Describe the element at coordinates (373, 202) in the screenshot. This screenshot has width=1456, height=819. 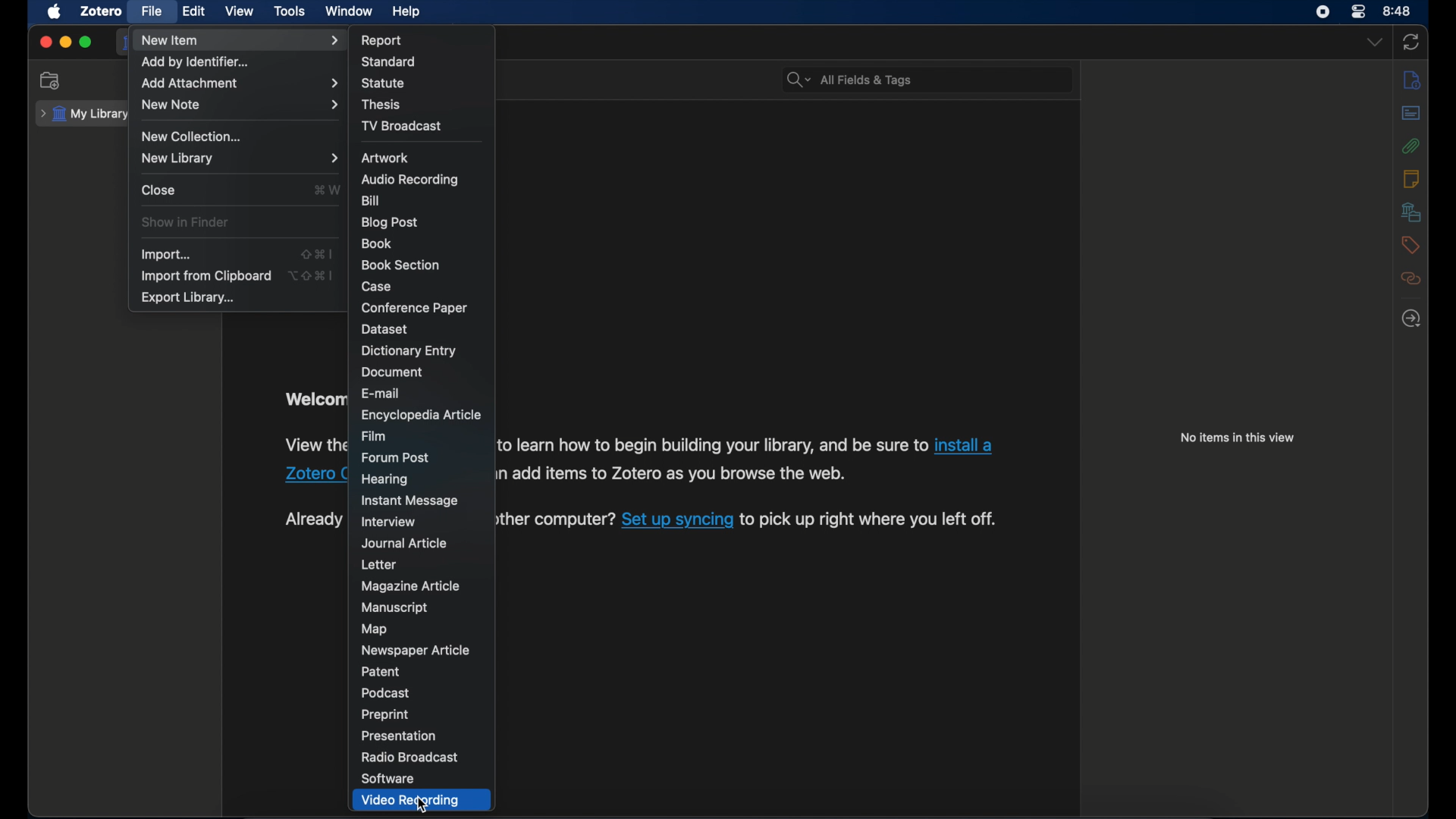
I see `bill` at that location.